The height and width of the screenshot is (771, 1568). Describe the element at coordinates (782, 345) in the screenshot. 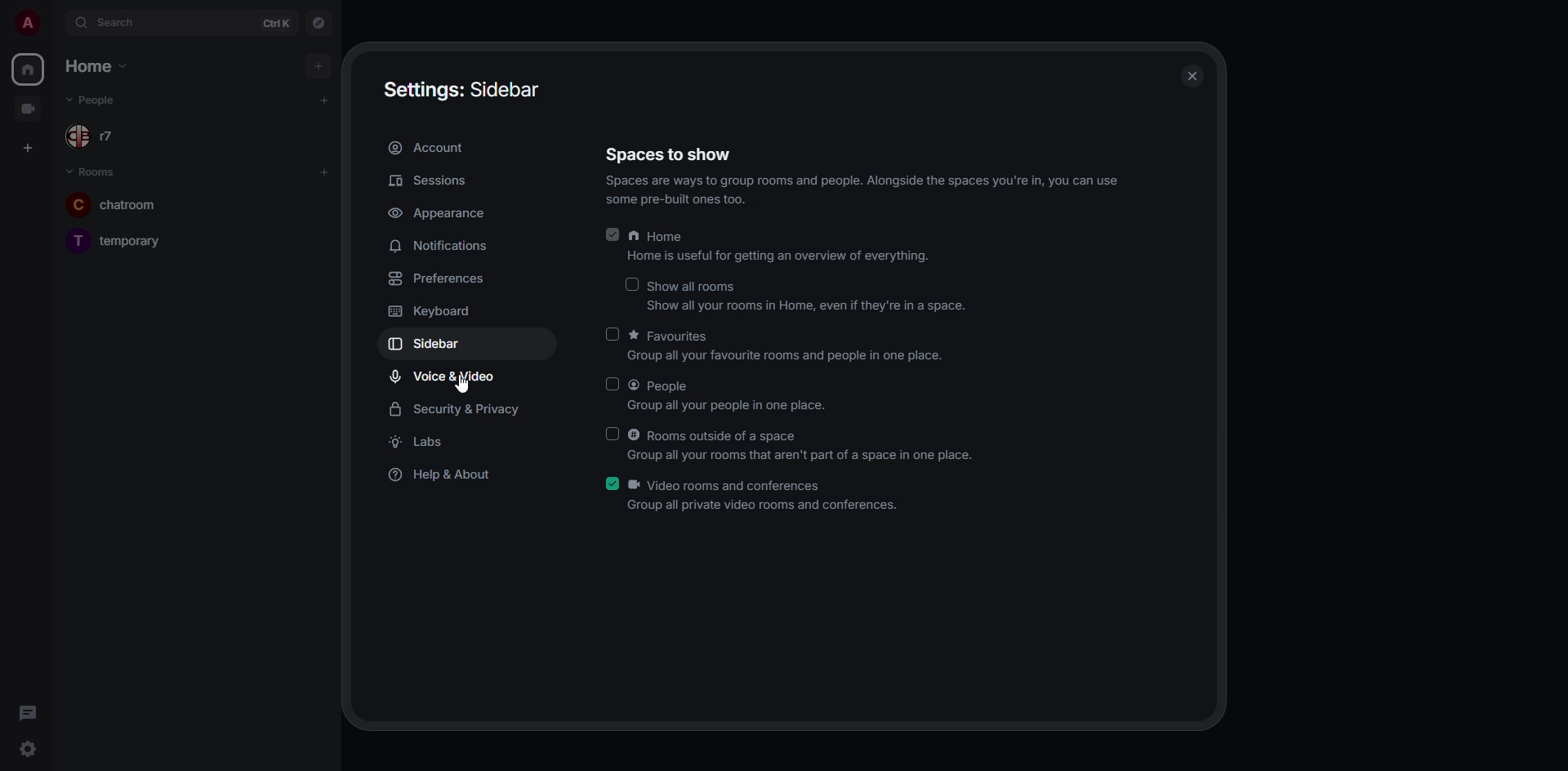

I see `favorites` at that location.